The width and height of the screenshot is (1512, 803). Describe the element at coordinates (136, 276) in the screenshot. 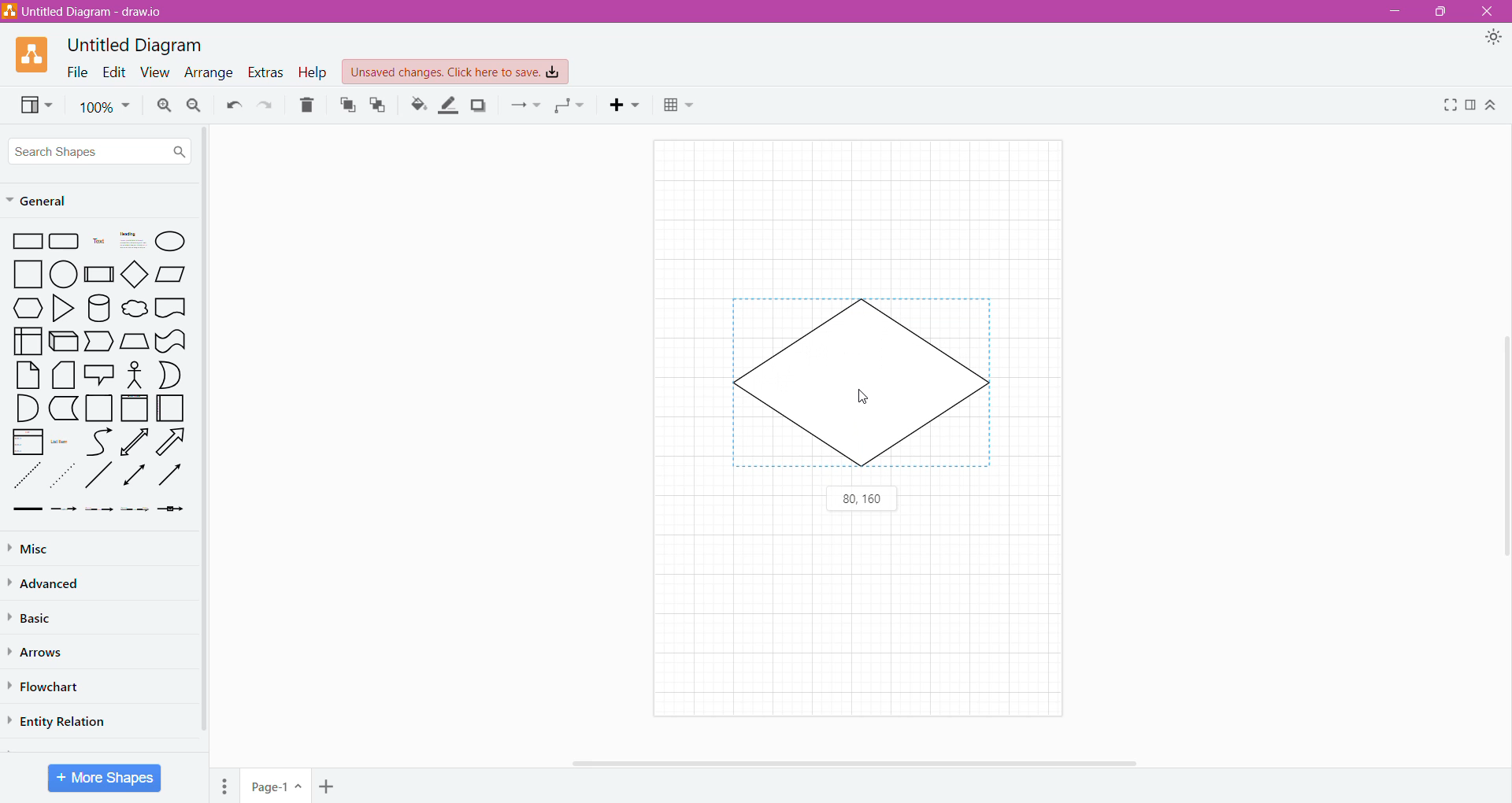

I see `Diamond` at that location.